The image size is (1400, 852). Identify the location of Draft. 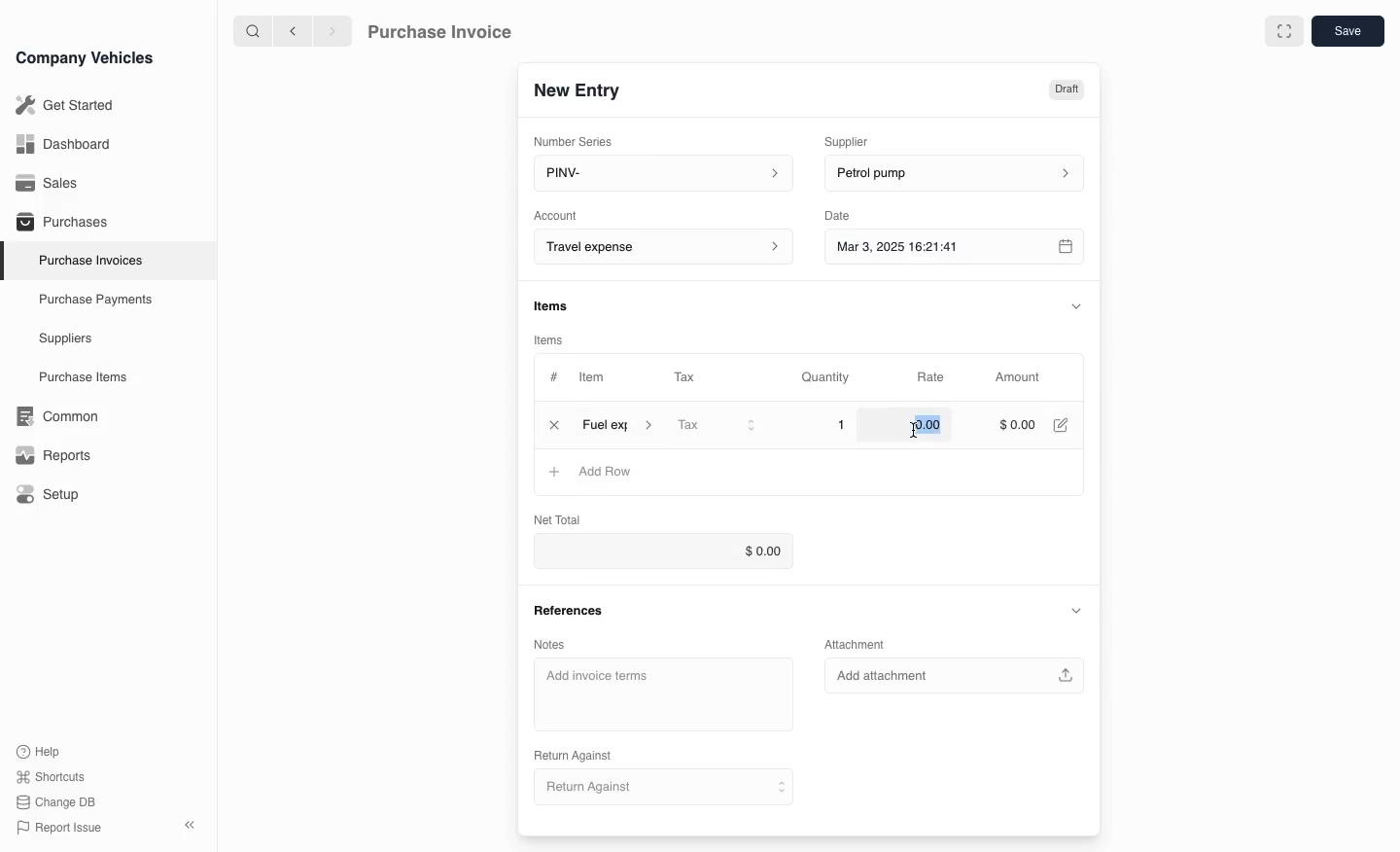
(1065, 88).